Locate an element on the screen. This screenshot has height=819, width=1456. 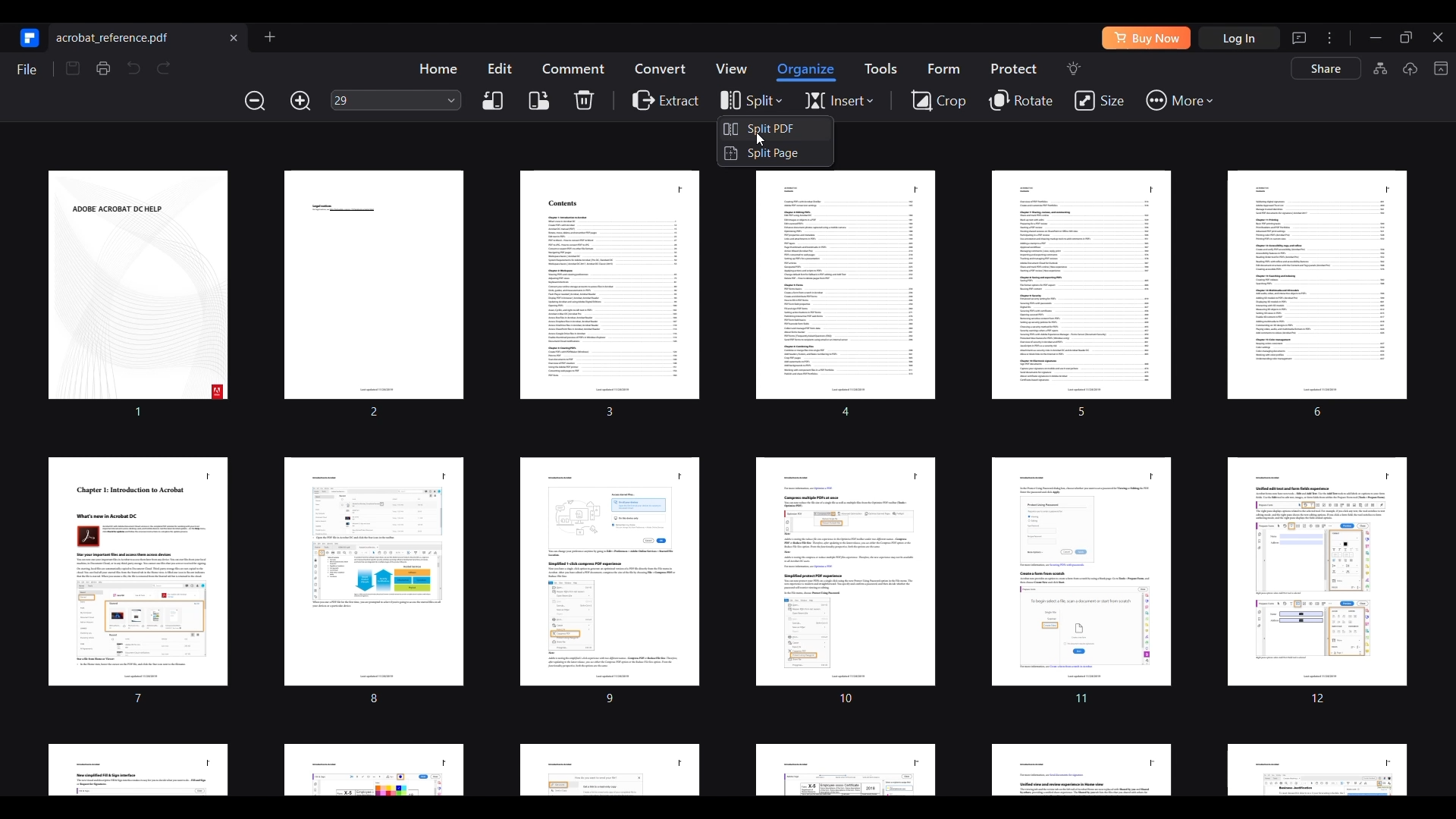
More tools is located at coordinates (1178, 101).